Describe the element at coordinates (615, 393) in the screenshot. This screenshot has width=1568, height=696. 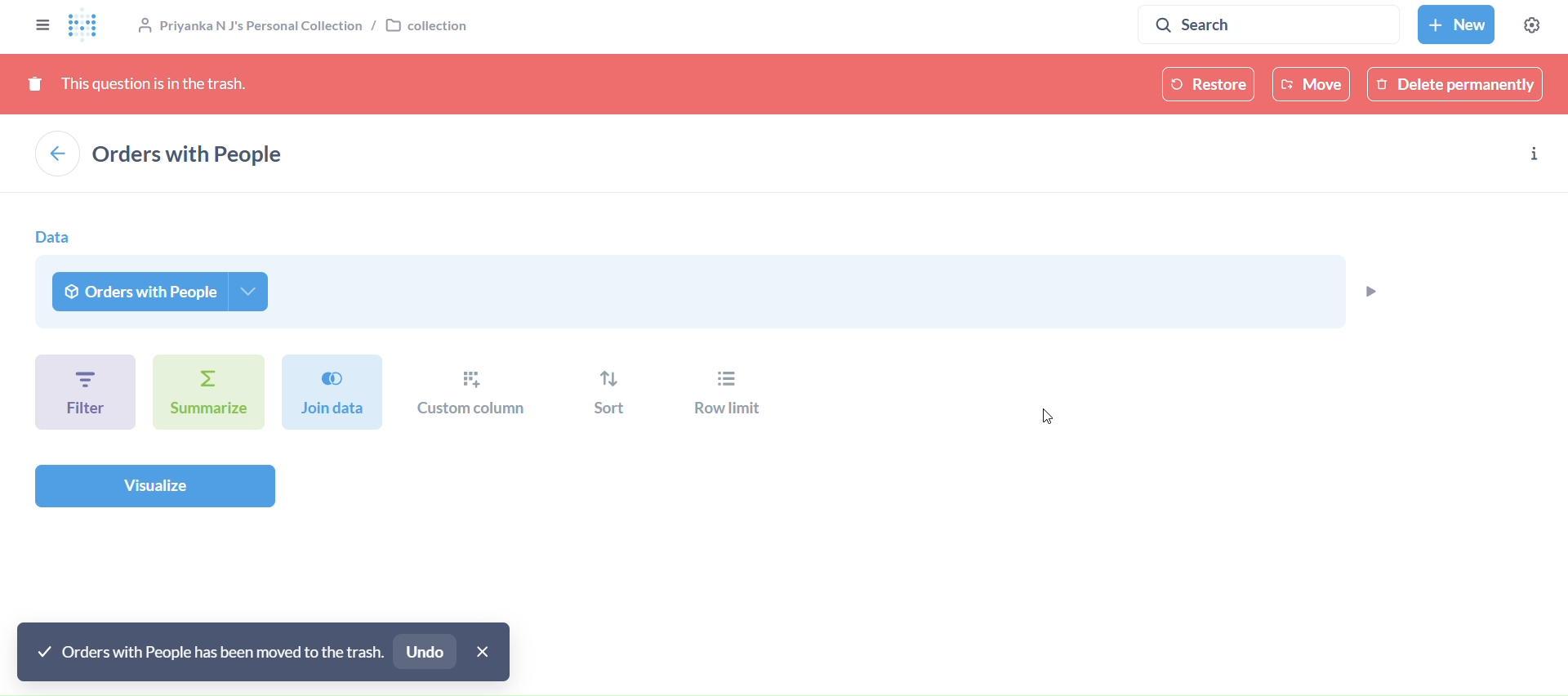
I see `sort` at that location.